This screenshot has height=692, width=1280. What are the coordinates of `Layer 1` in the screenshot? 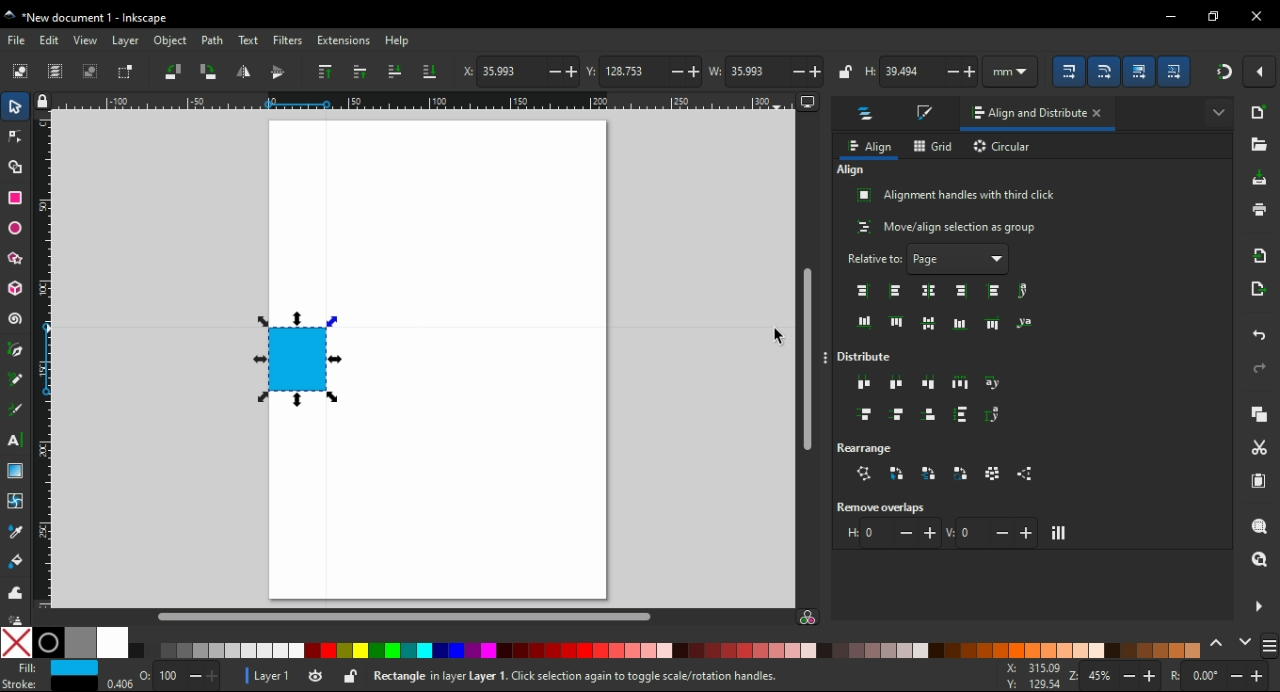 It's located at (270, 675).